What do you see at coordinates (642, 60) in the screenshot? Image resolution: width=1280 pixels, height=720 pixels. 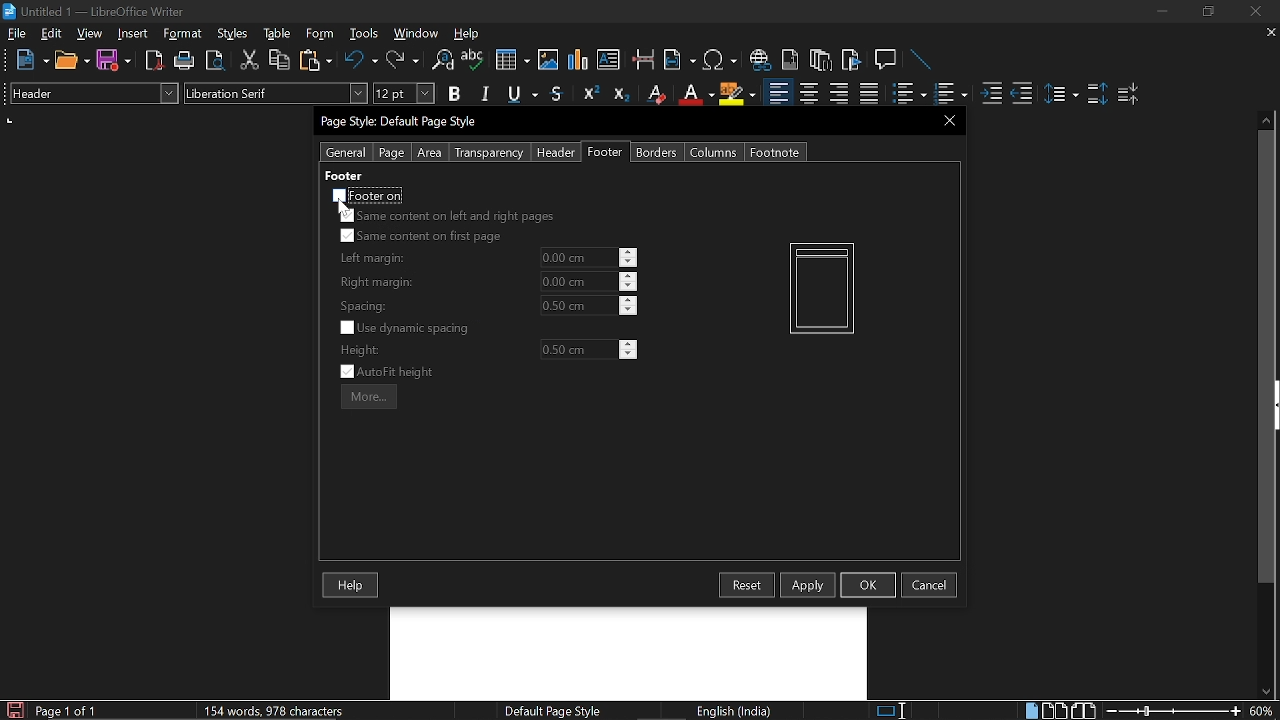 I see `Insert page break` at bounding box center [642, 60].